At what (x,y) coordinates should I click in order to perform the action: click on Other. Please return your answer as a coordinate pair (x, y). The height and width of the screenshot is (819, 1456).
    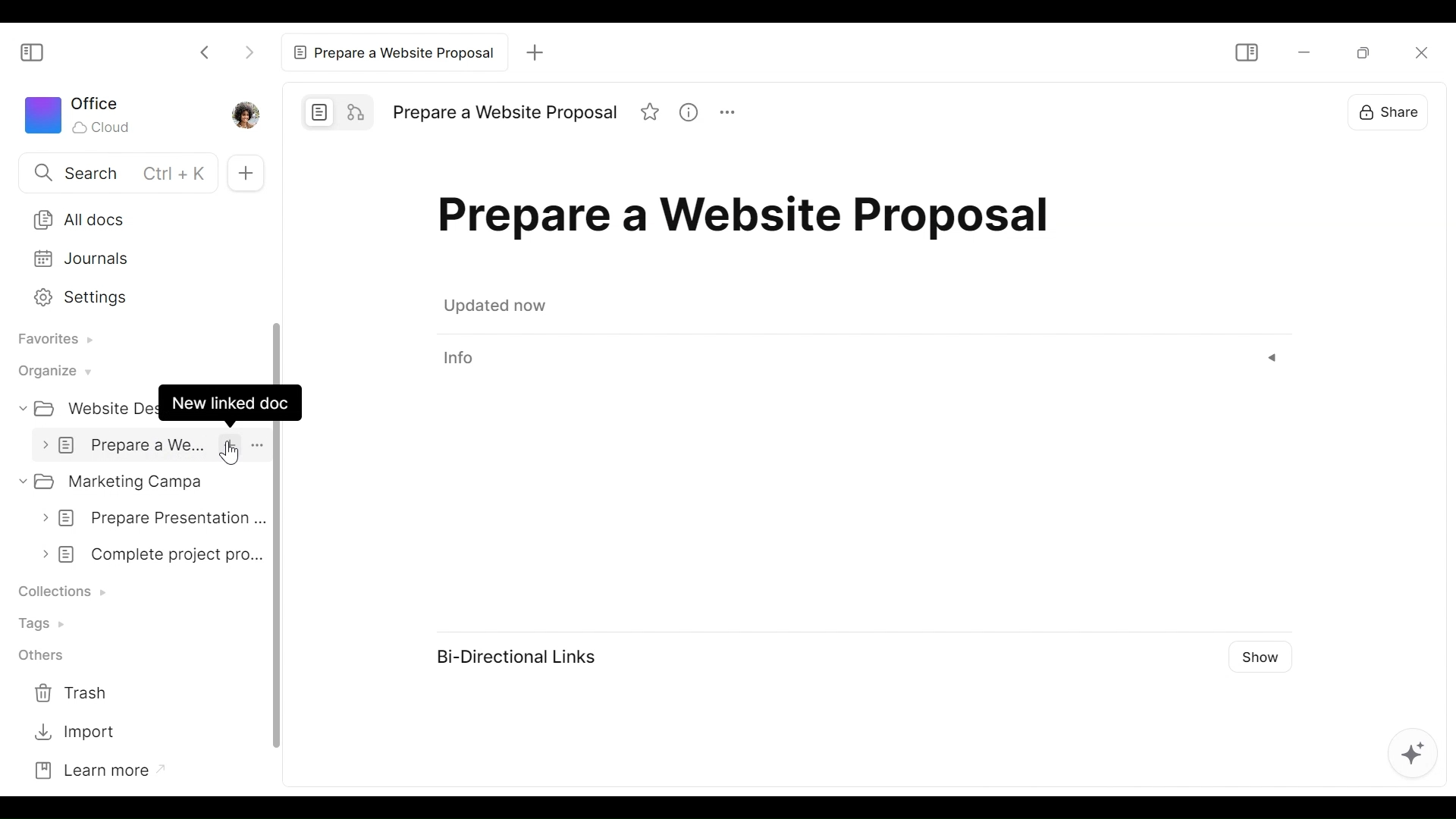
    Looking at the image, I should click on (36, 654).